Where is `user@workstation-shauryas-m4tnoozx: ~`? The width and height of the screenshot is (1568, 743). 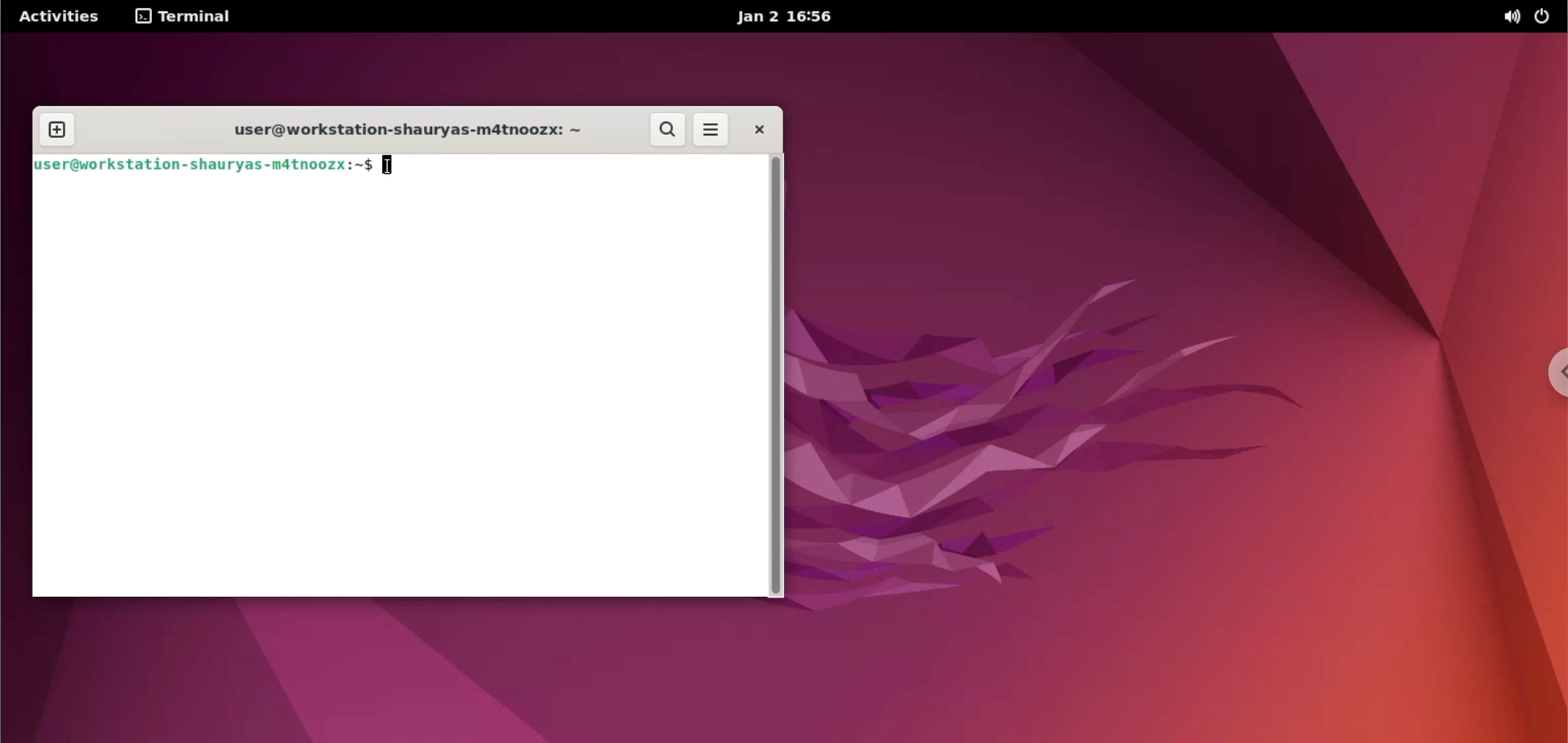 user@workstation-shauryas-m4tnoozx: ~ is located at coordinates (403, 131).